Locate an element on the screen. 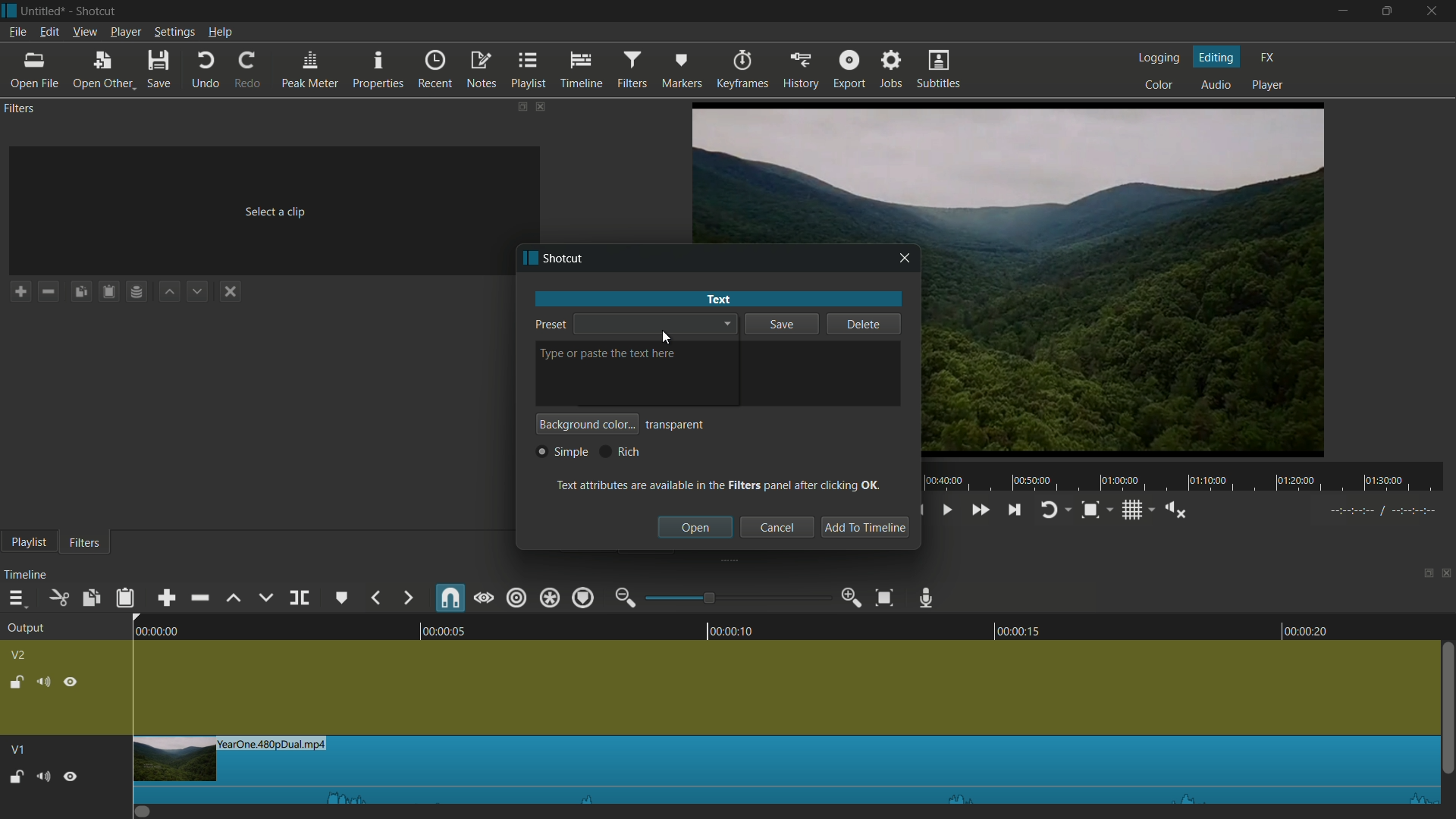 The image size is (1456, 819). change layout is located at coordinates (521, 106).